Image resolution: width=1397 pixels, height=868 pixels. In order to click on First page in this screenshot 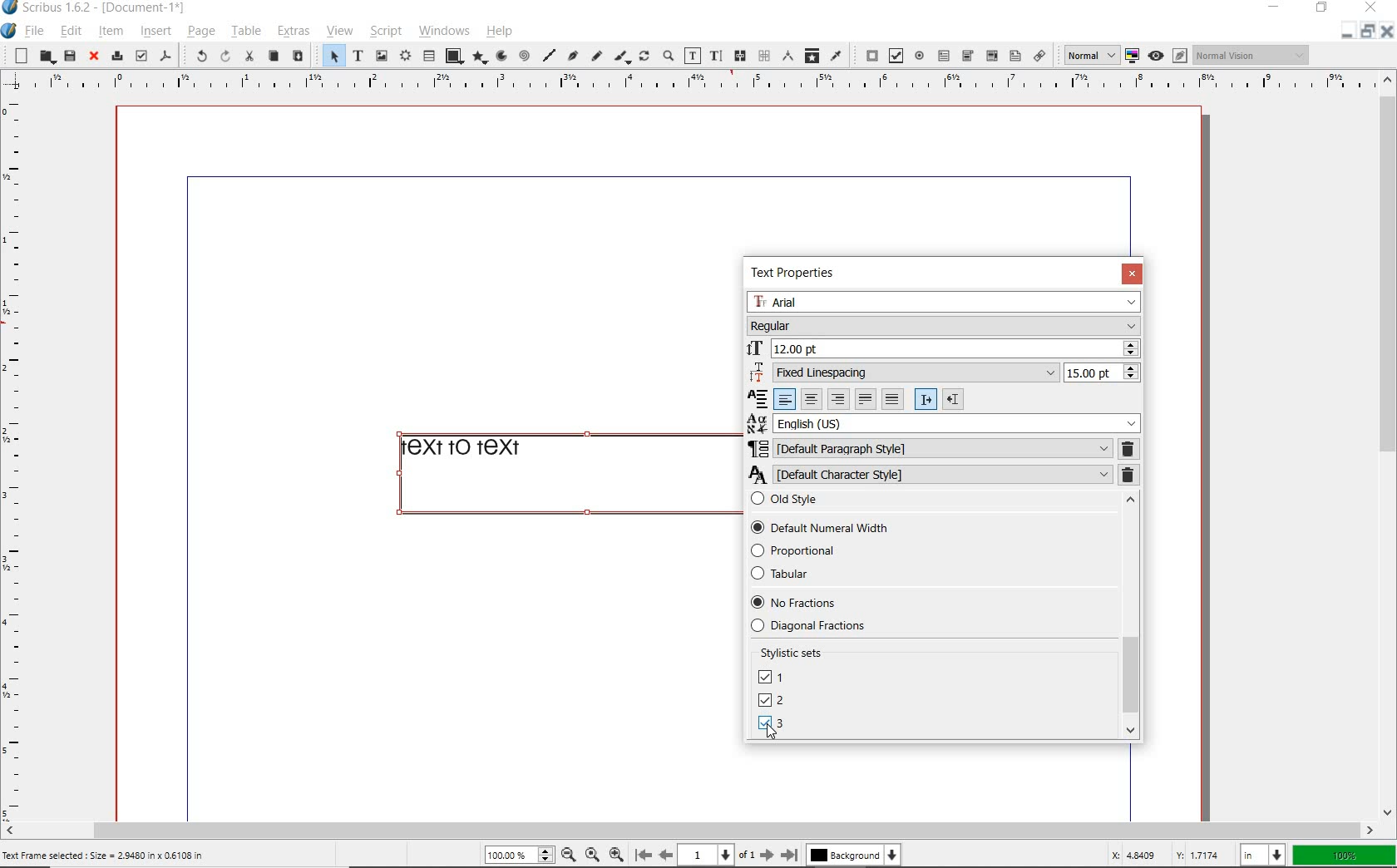, I will do `click(642, 856)`.